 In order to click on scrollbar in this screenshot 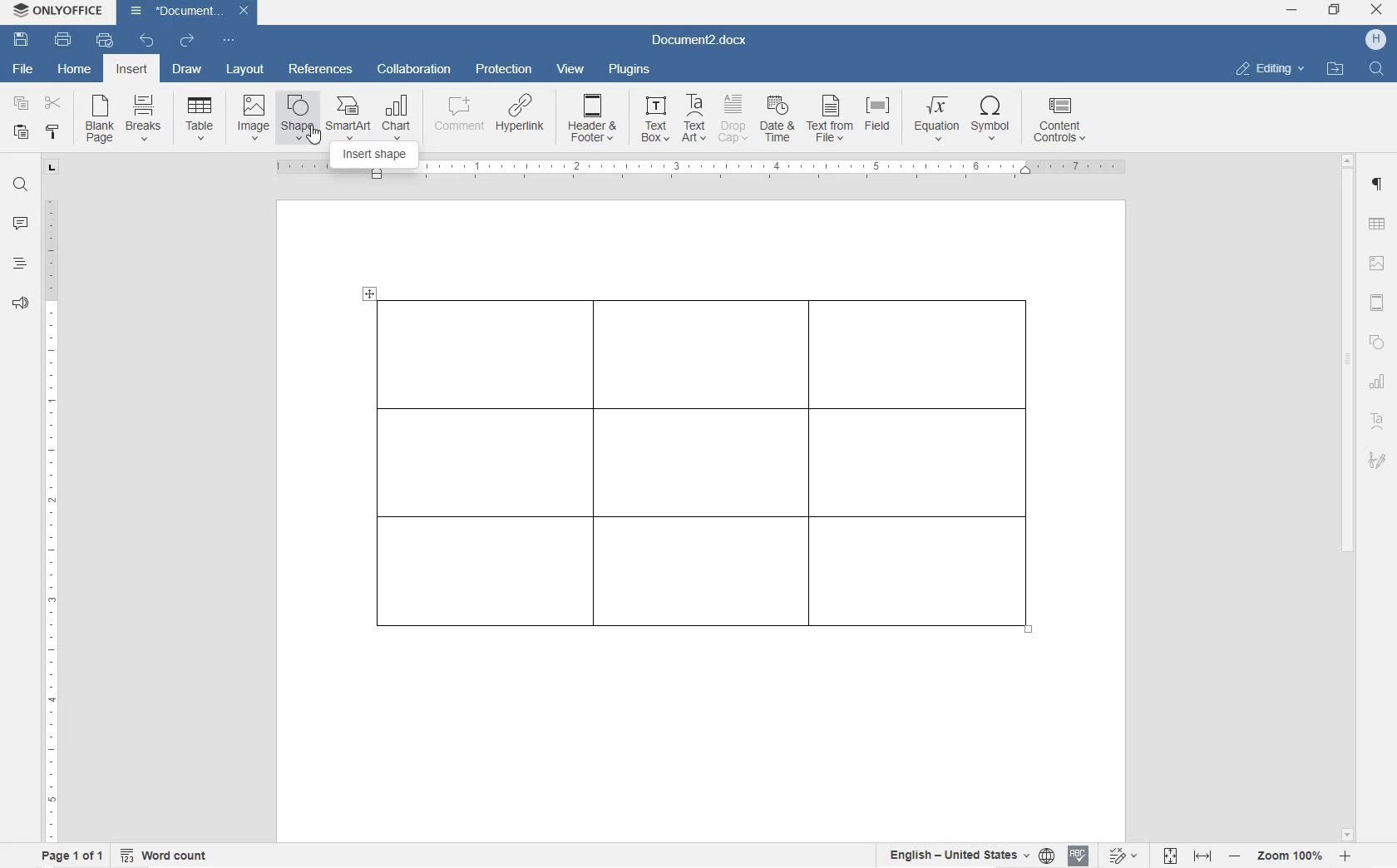, I will do `click(1348, 496)`.